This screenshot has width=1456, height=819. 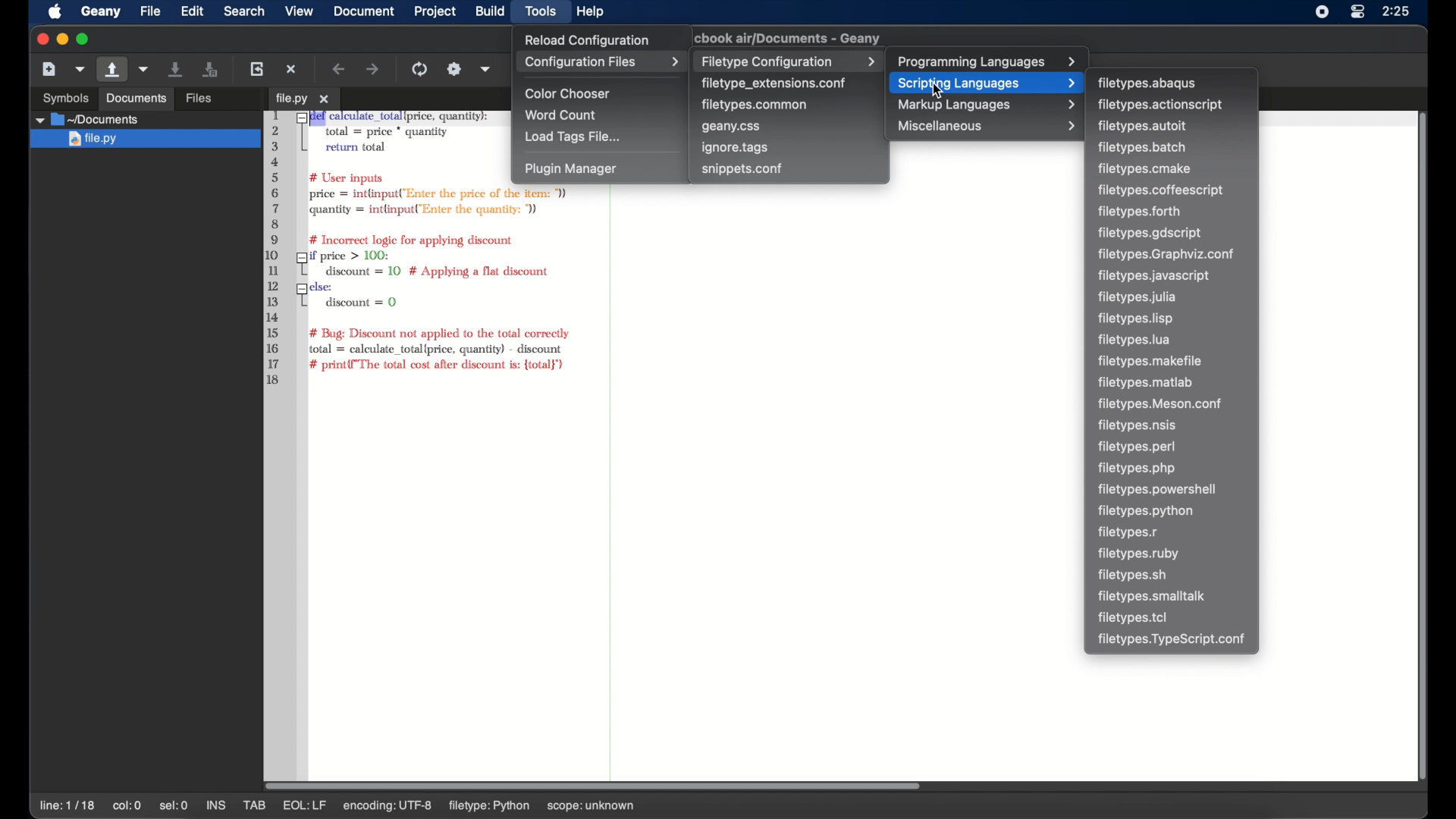 What do you see at coordinates (591, 11) in the screenshot?
I see `help` at bounding box center [591, 11].